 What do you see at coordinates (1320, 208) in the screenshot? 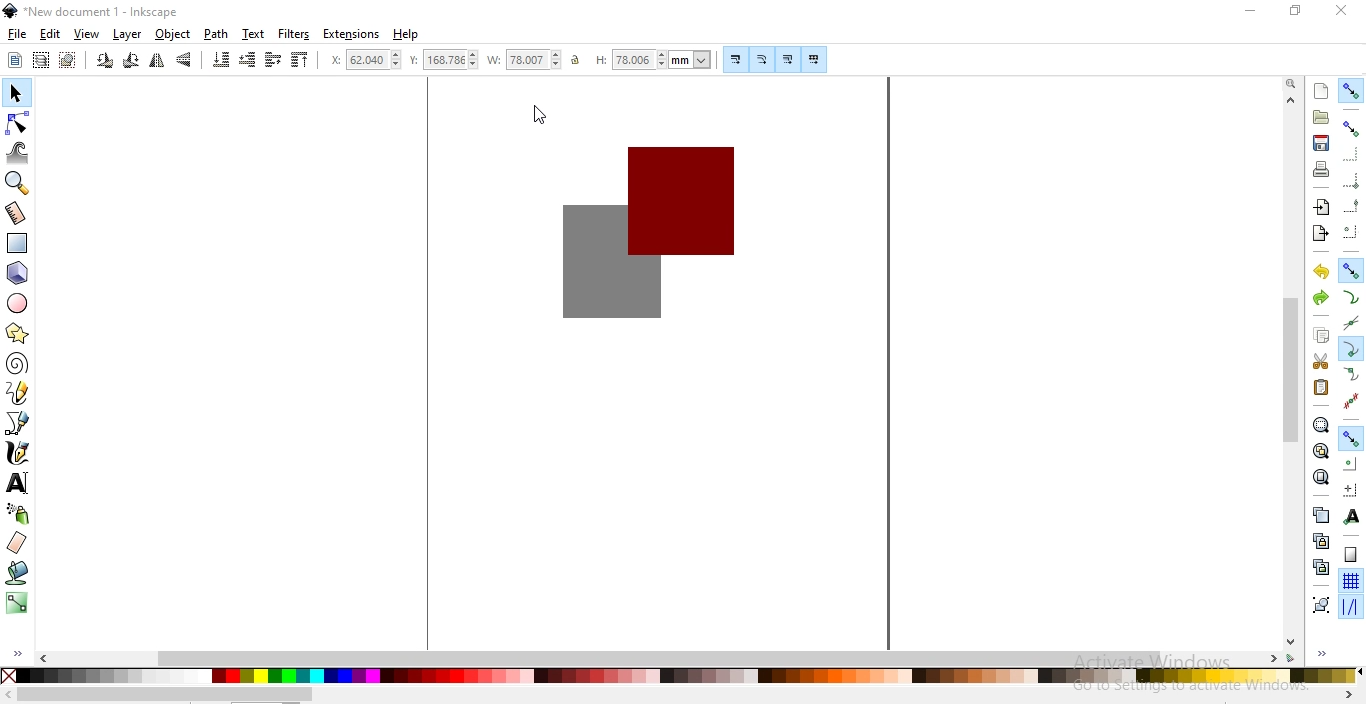
I see `import a bitmap` at bounding box center [1320, 208].